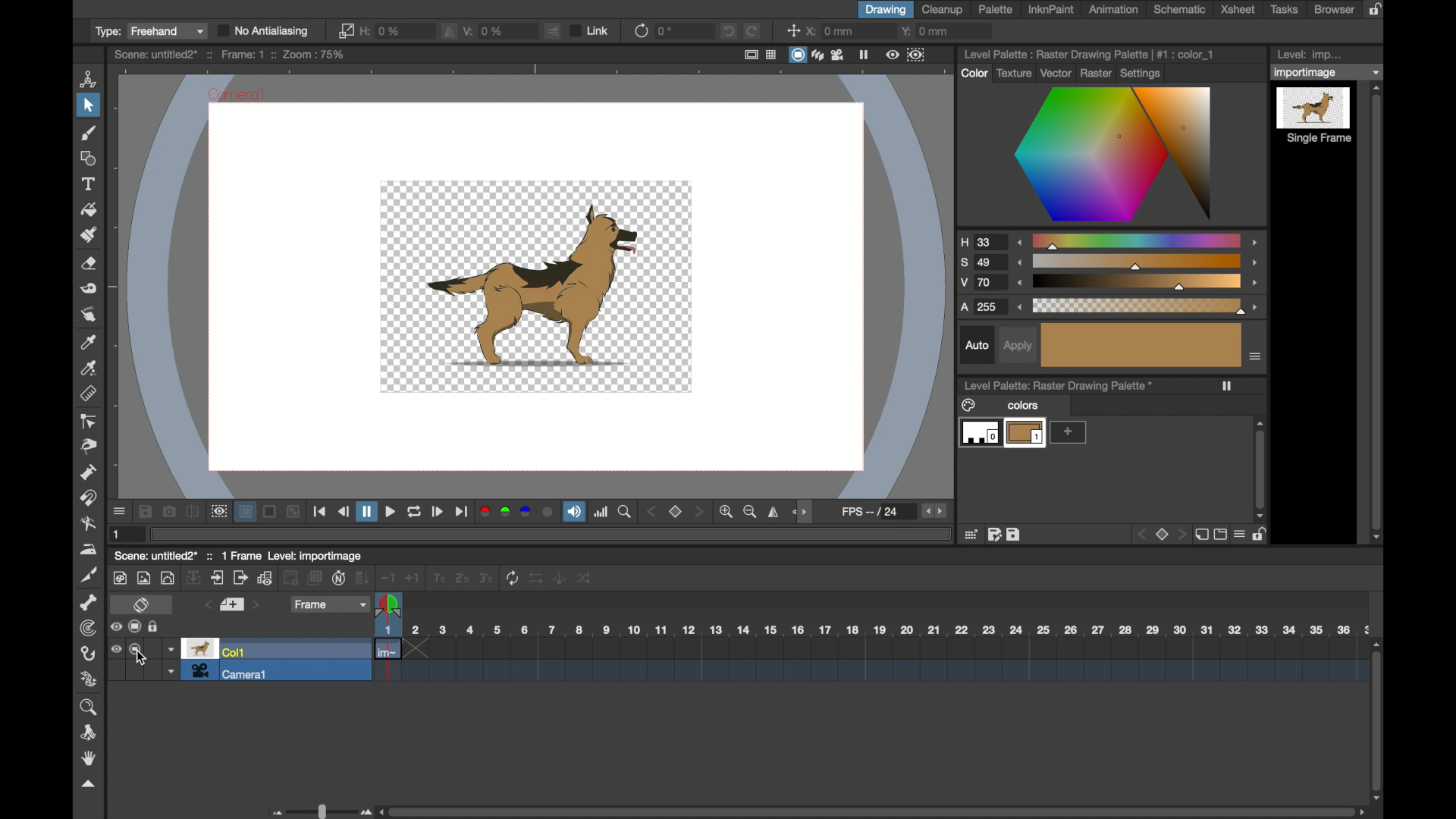 This screenshot has height=819, width=1456. What do you see at coordinates (526, 512) in the screenshot?
I see `blue` at bounding box center [526, 512].